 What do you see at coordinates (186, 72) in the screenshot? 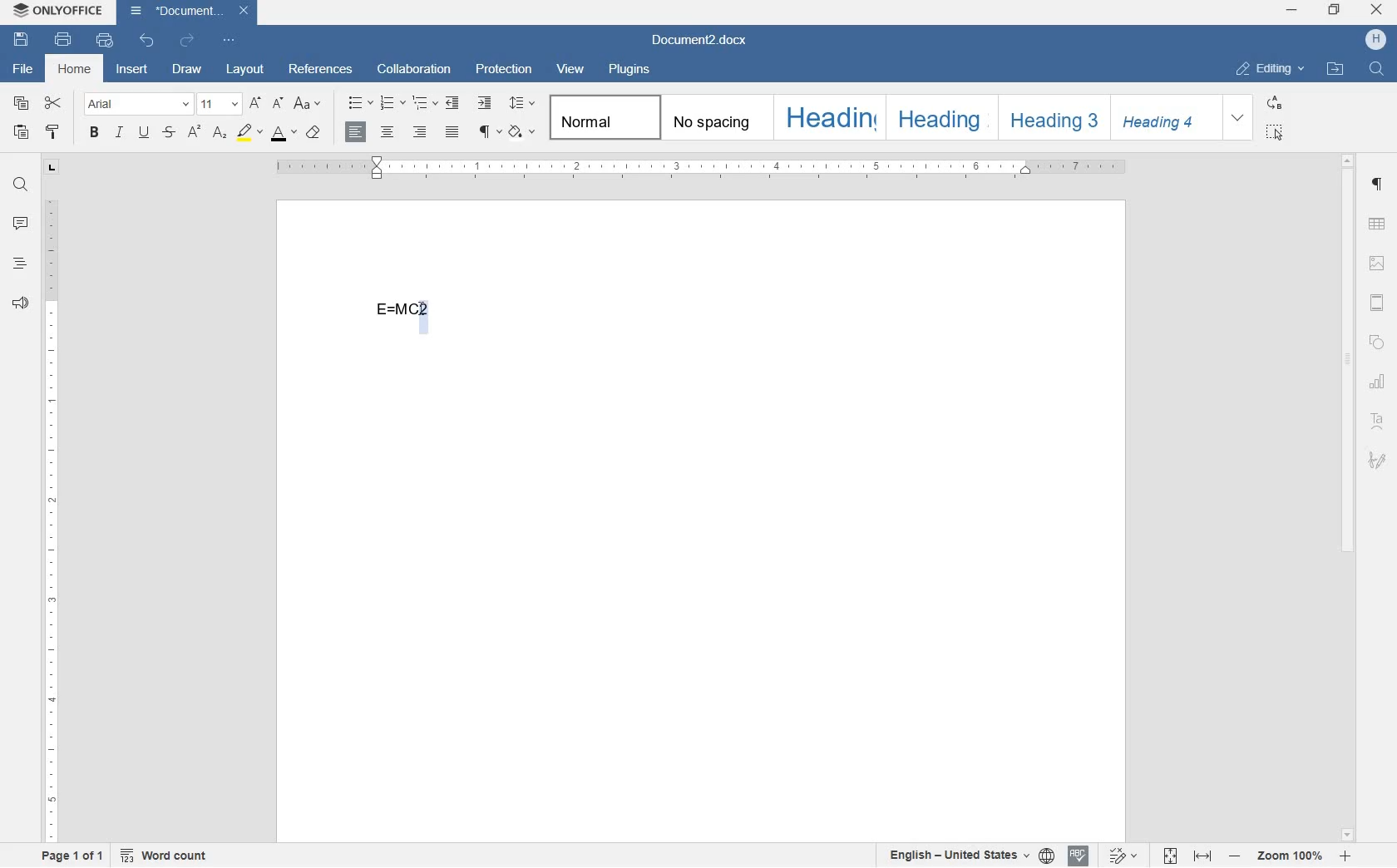
I see `draw` at bounding box center [186, 72].